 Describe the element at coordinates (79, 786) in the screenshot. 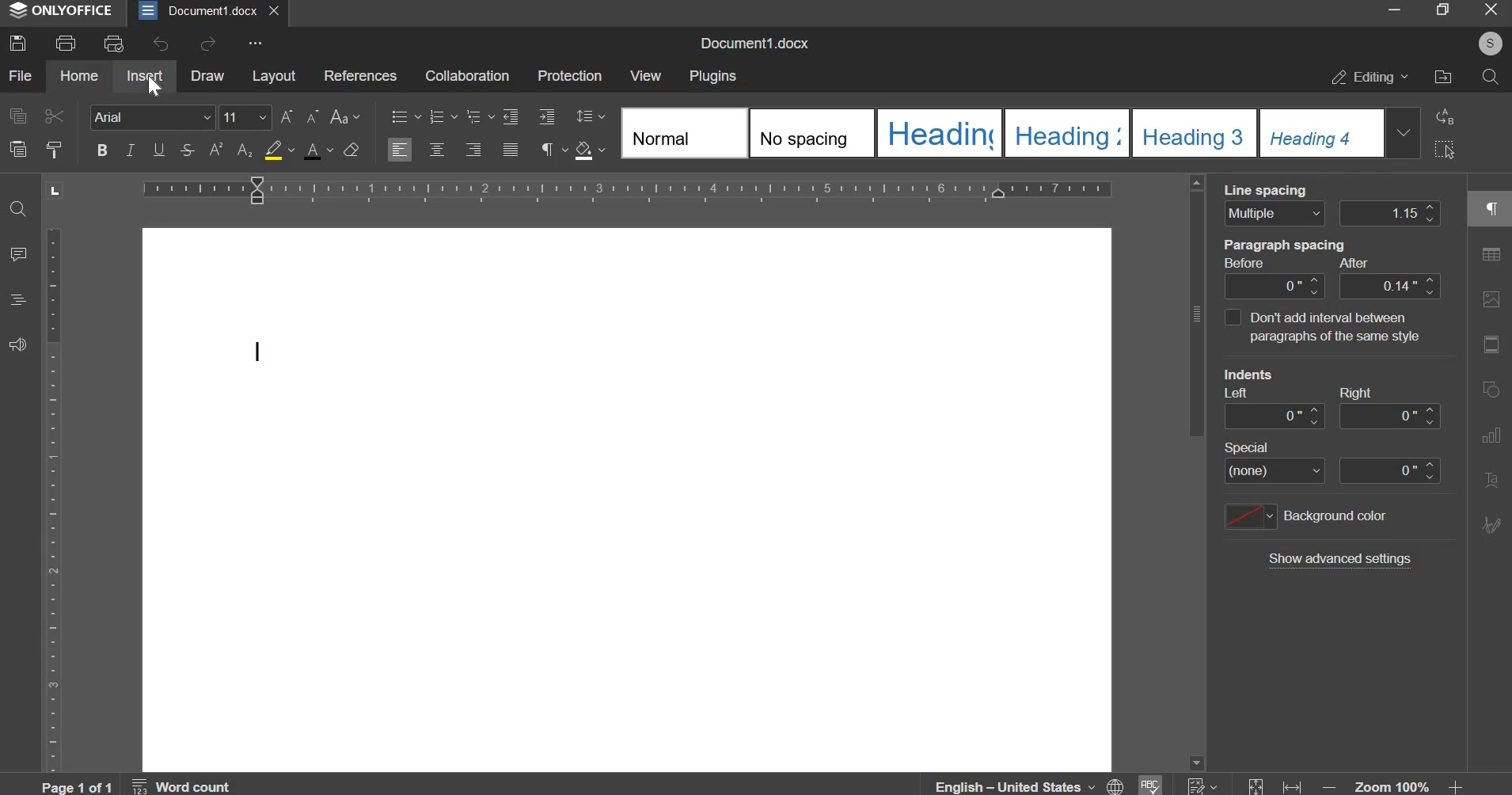

I see `page 1 of 1` at that location.